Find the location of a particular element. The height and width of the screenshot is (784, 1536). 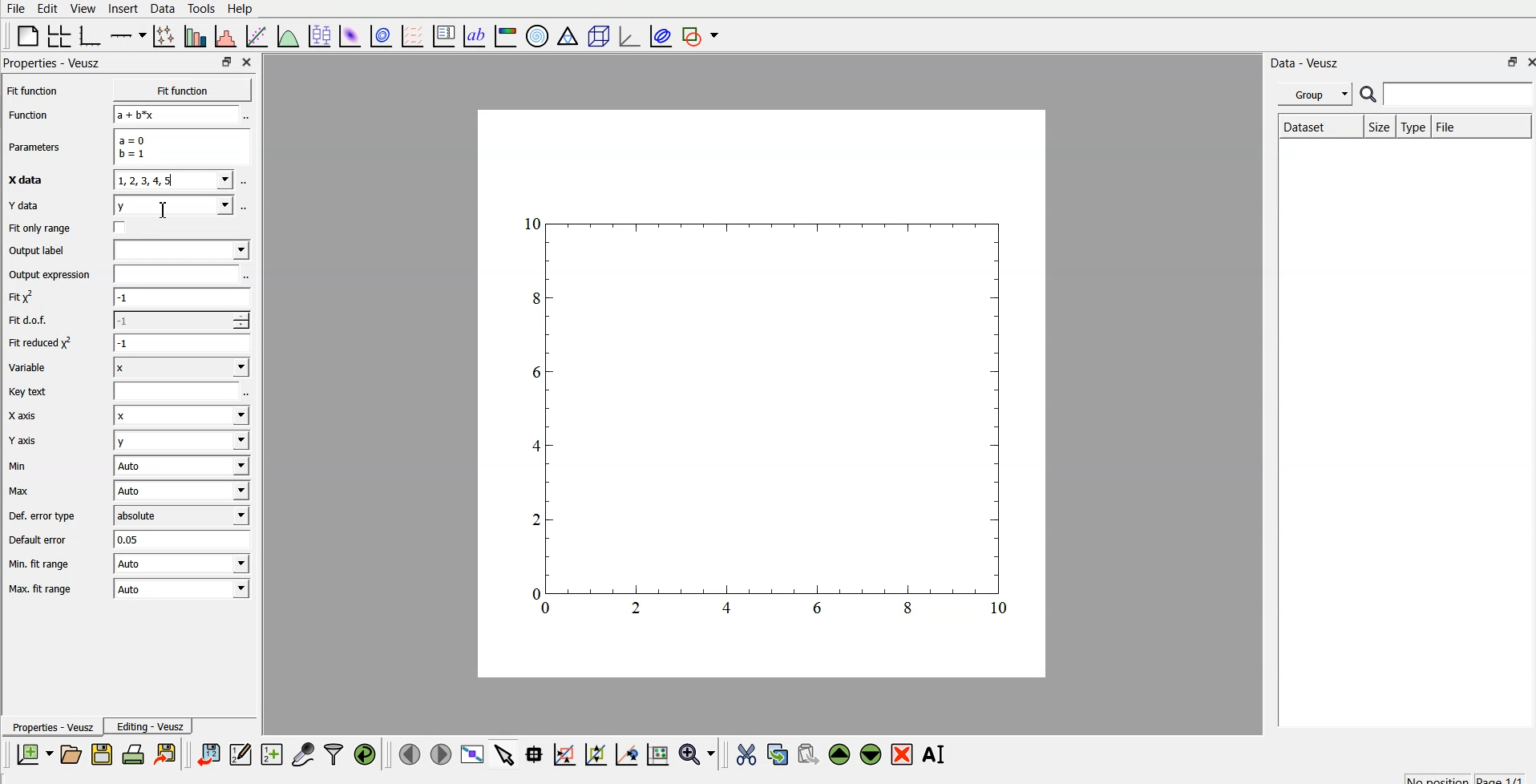

size is located at coordinates (1378, 126).